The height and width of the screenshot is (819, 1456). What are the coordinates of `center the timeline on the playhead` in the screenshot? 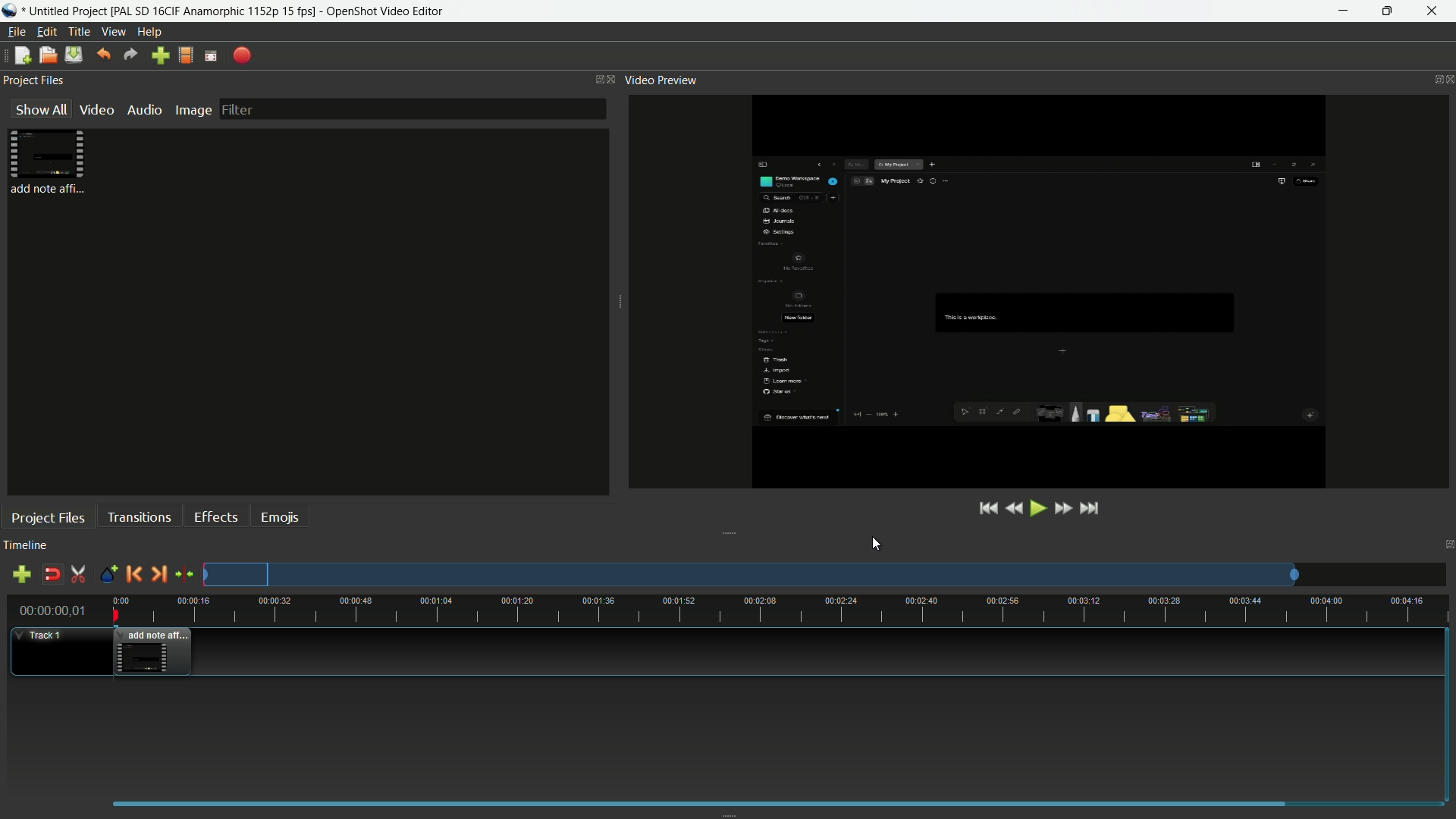 It's located at (185, 575).